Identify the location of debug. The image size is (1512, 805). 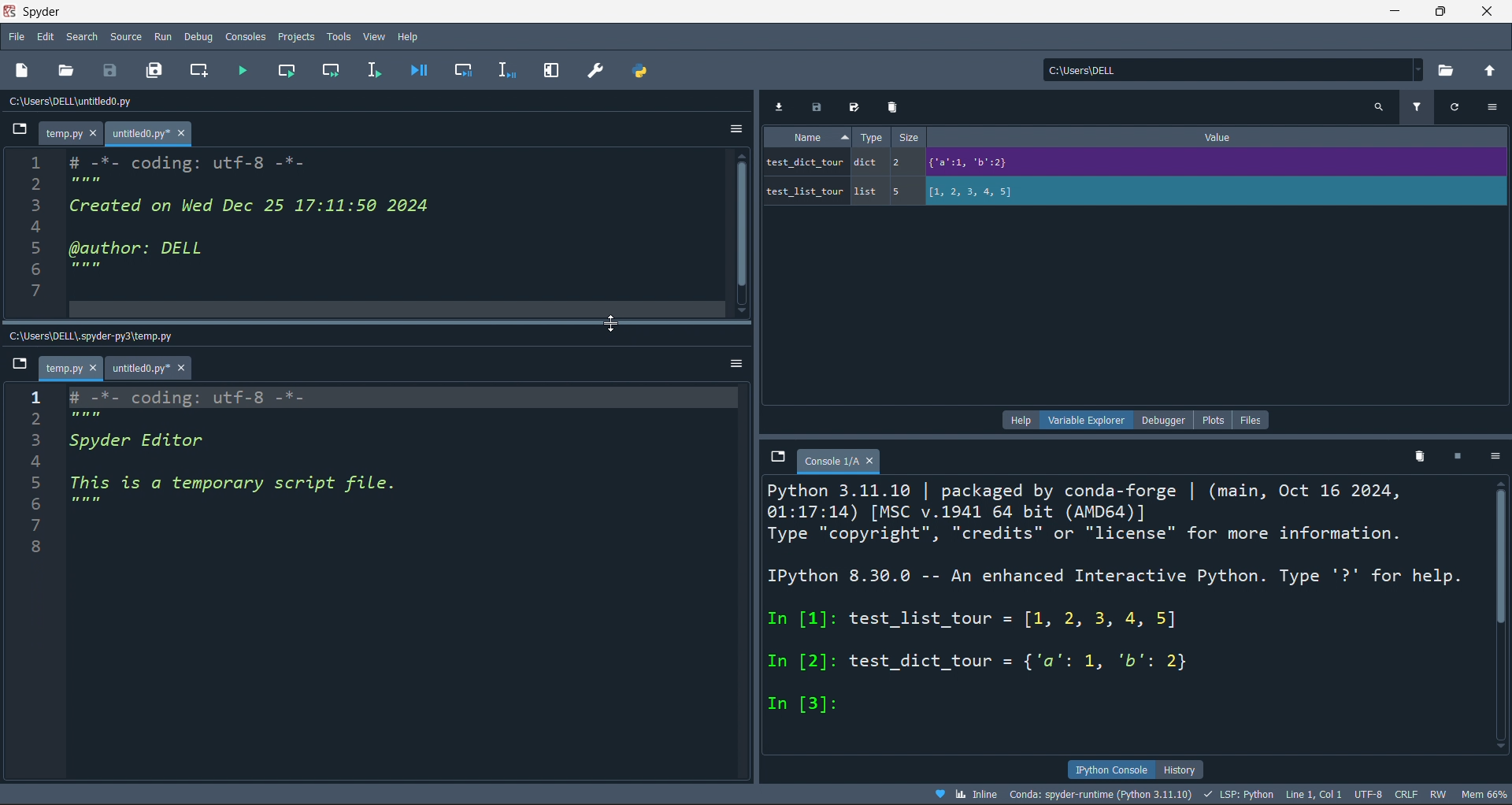
(202, 36).